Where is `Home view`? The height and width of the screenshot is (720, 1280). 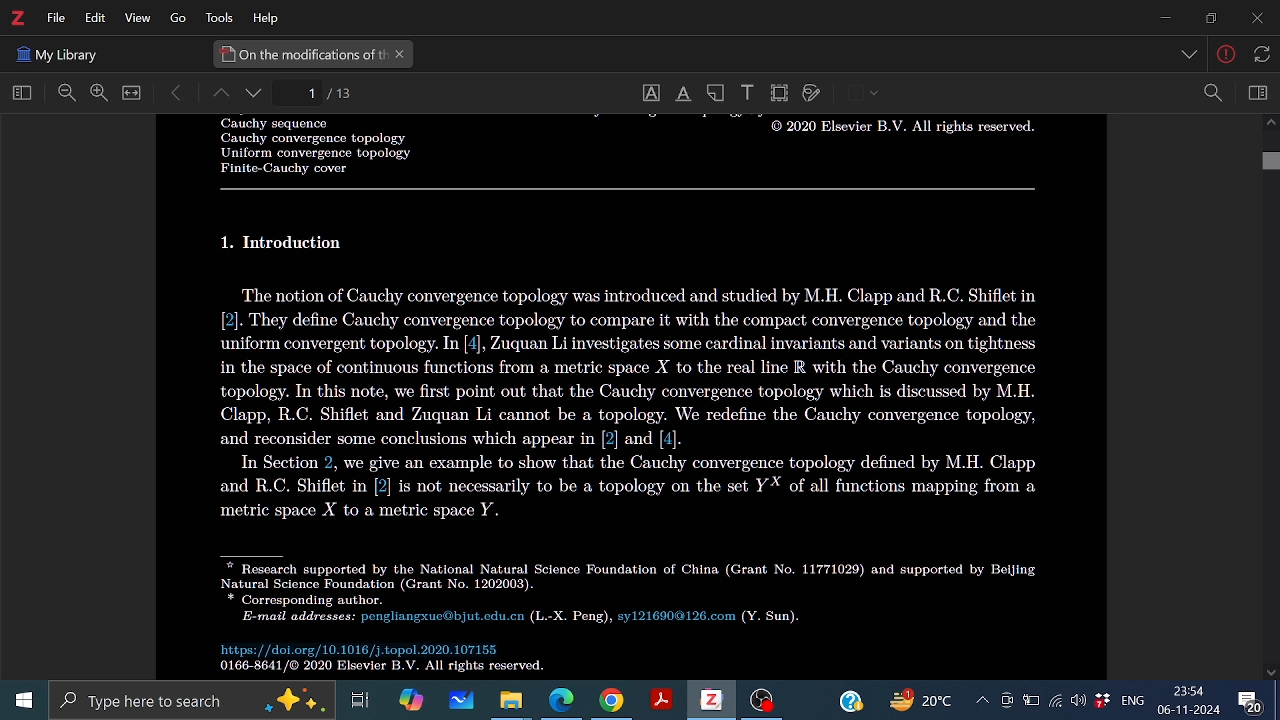 Home view is located at coordinates (18, 94).